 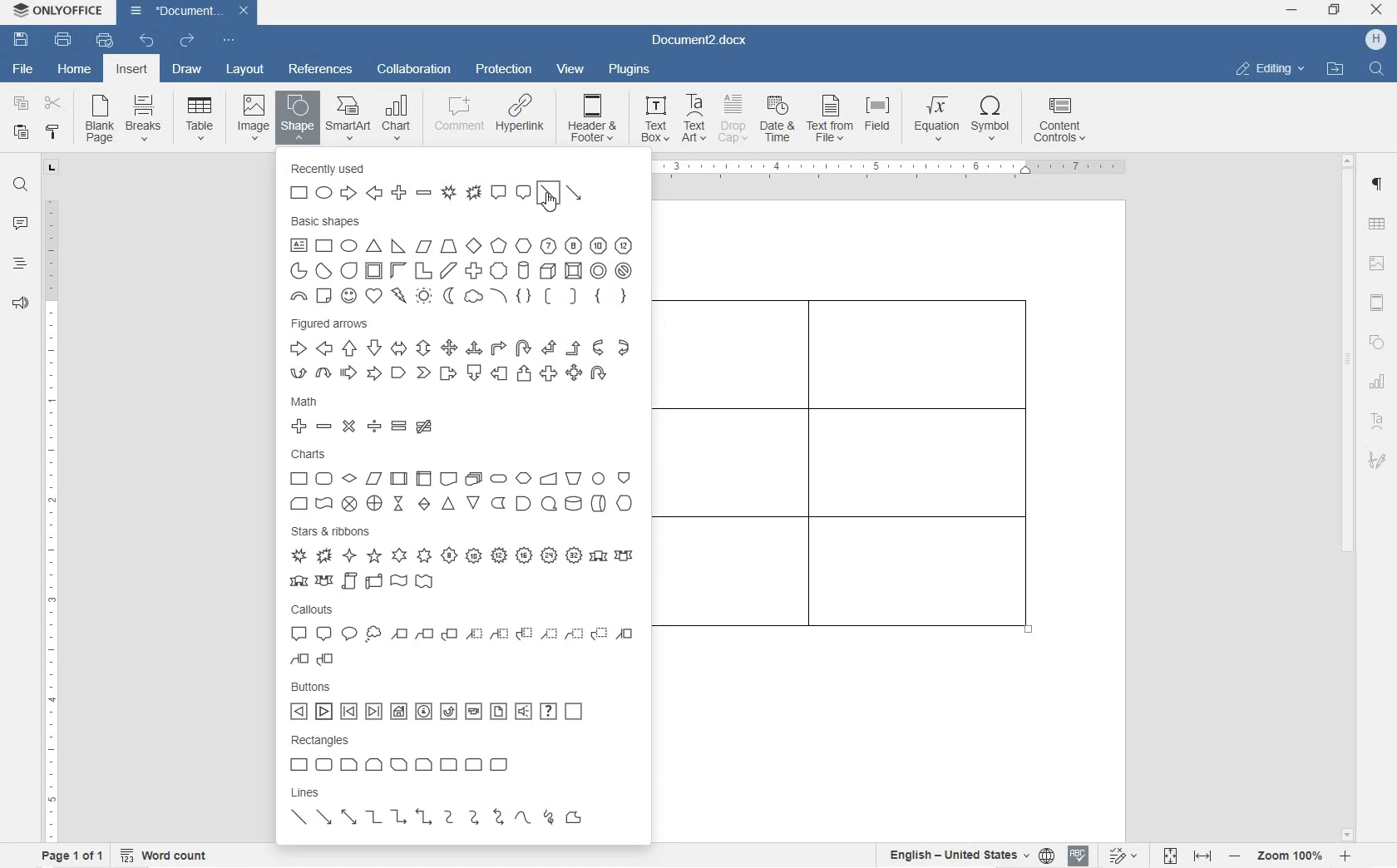 What do you see at coordinates (131, 70) in the screenshot?
I see `insert` at bounding box center [131, 70].